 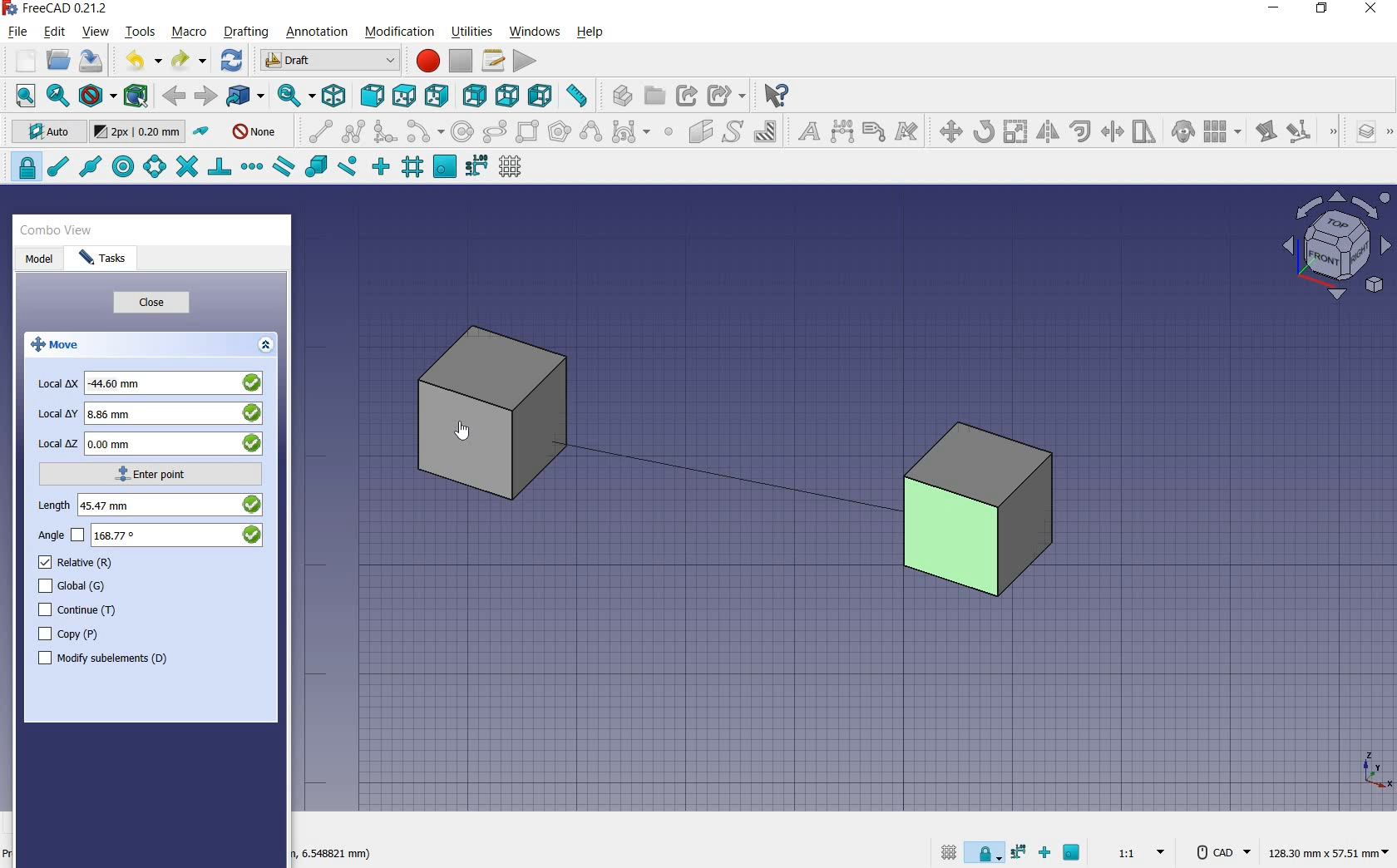 What do you see at coordinates (530, 131) in the screenshot?
I see `rectangle` at bounding box center [530, 131].